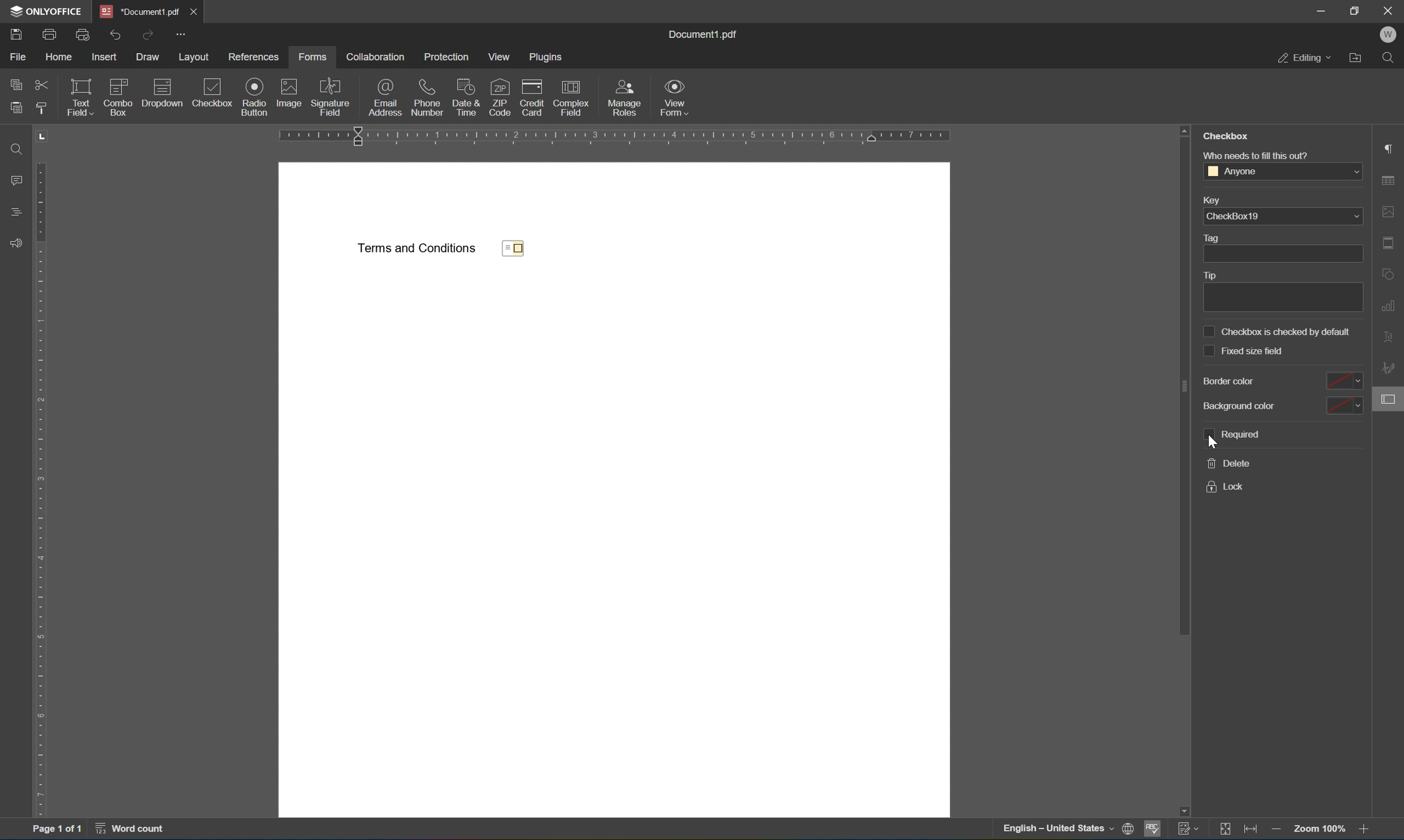 This screenshot has height=840, width=1404. Describe the element at coordinates (17, 246) in the screenshot. I see `feedback and support` at that location.